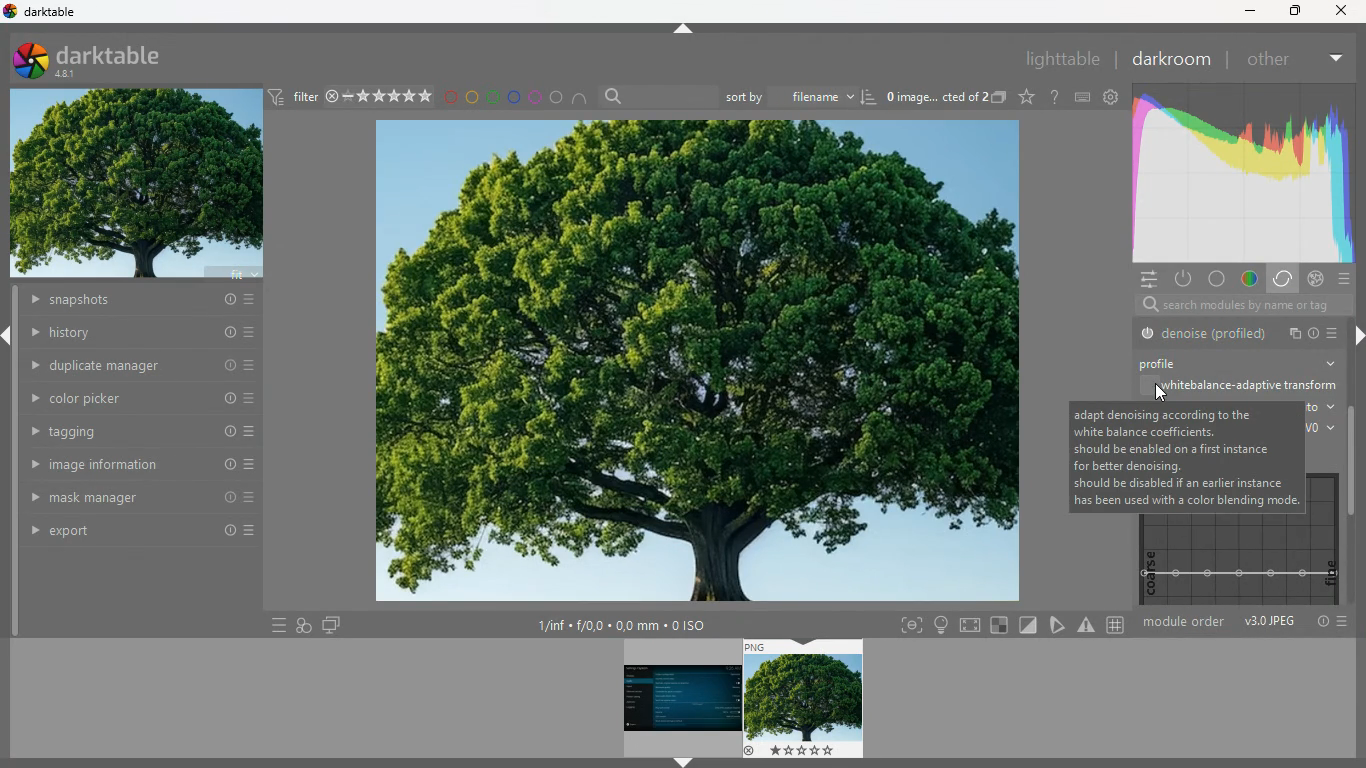 This screenshot has height=768, width=1366. Describe the element at coordinates (677, 696) in the screenshot. I see `image` at that location.